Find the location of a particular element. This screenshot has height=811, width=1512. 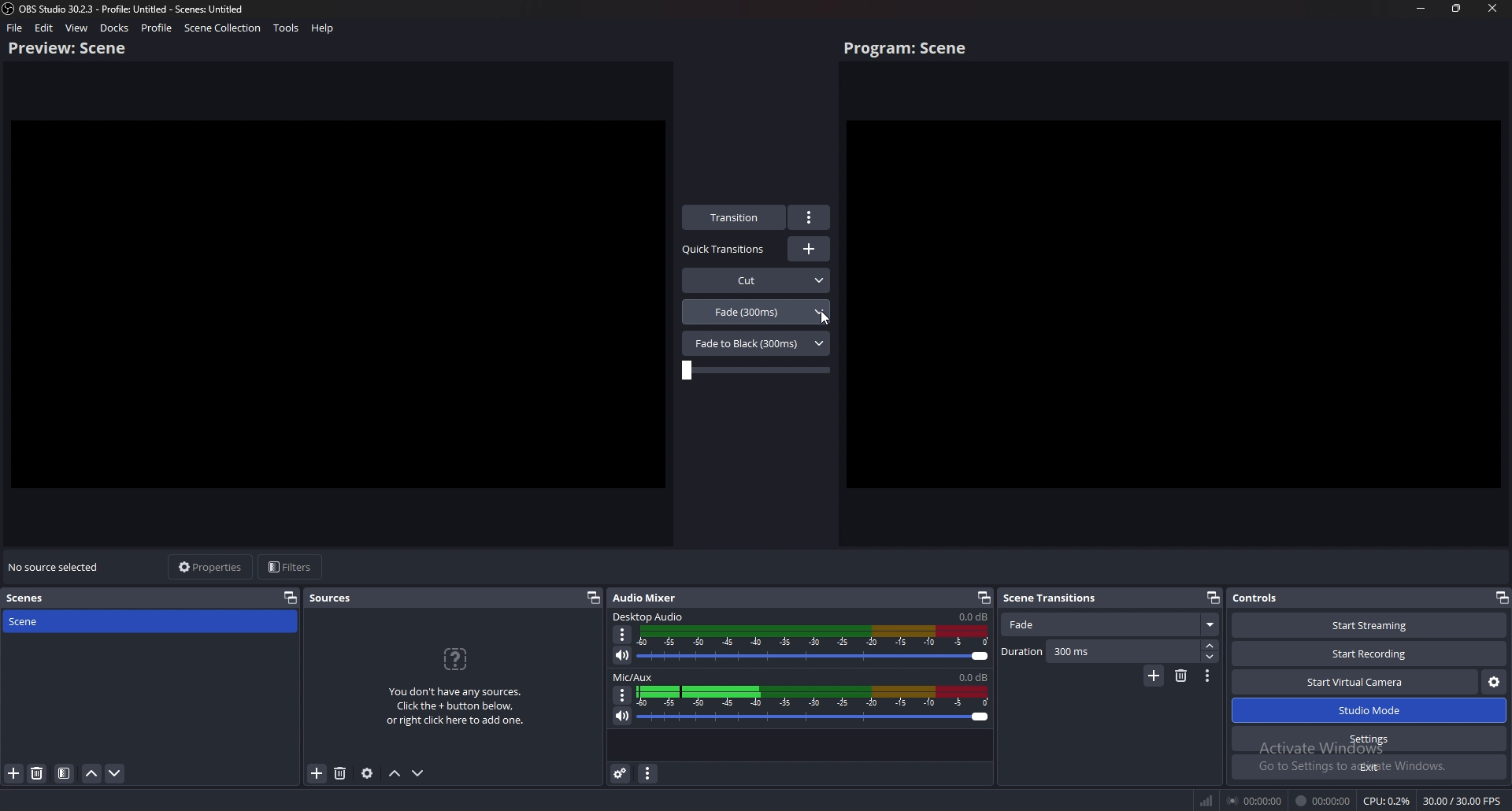

Quick transitions is located at coordinates (725, 250).